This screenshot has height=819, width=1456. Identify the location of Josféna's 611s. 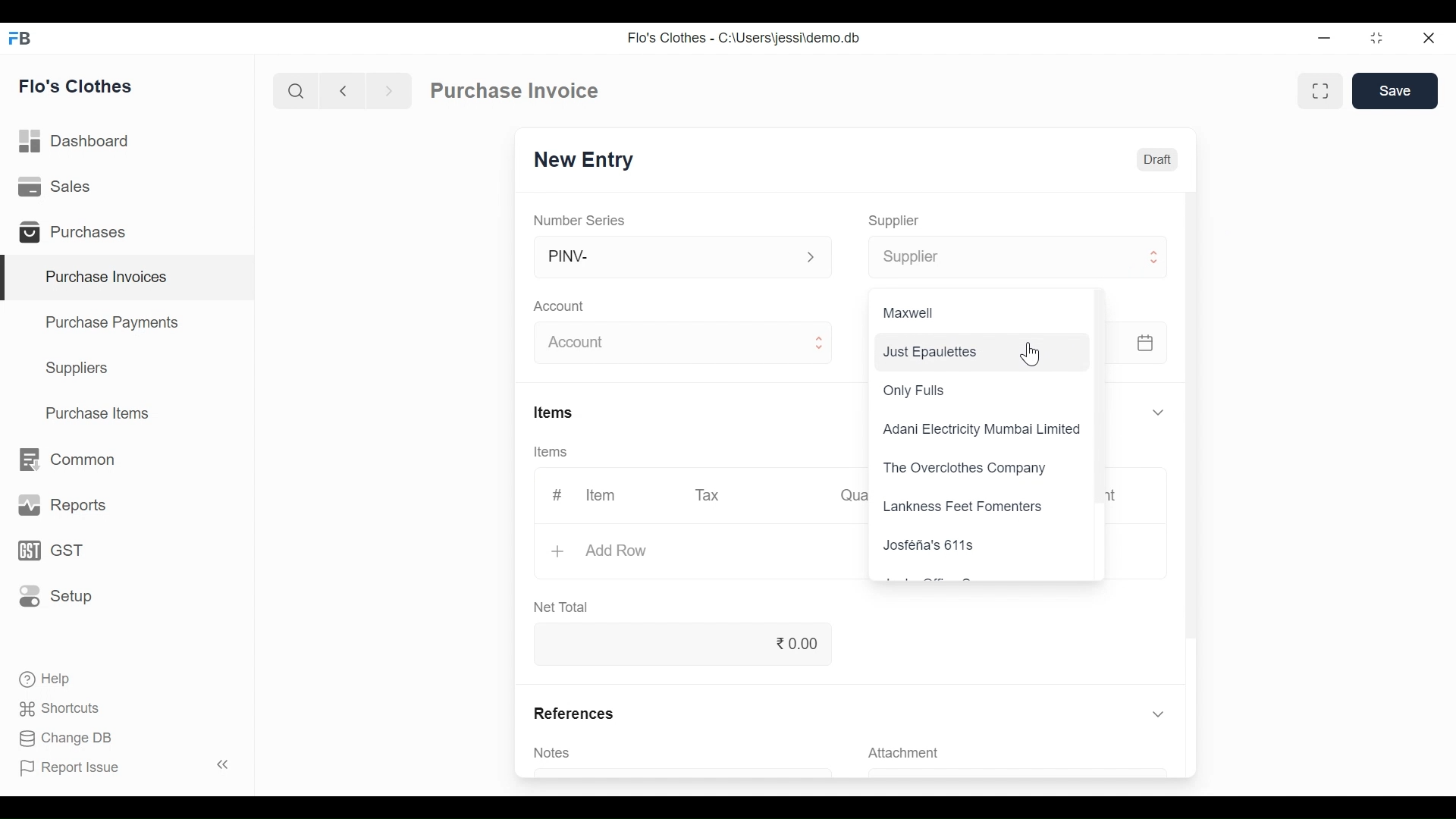
(928, 544).